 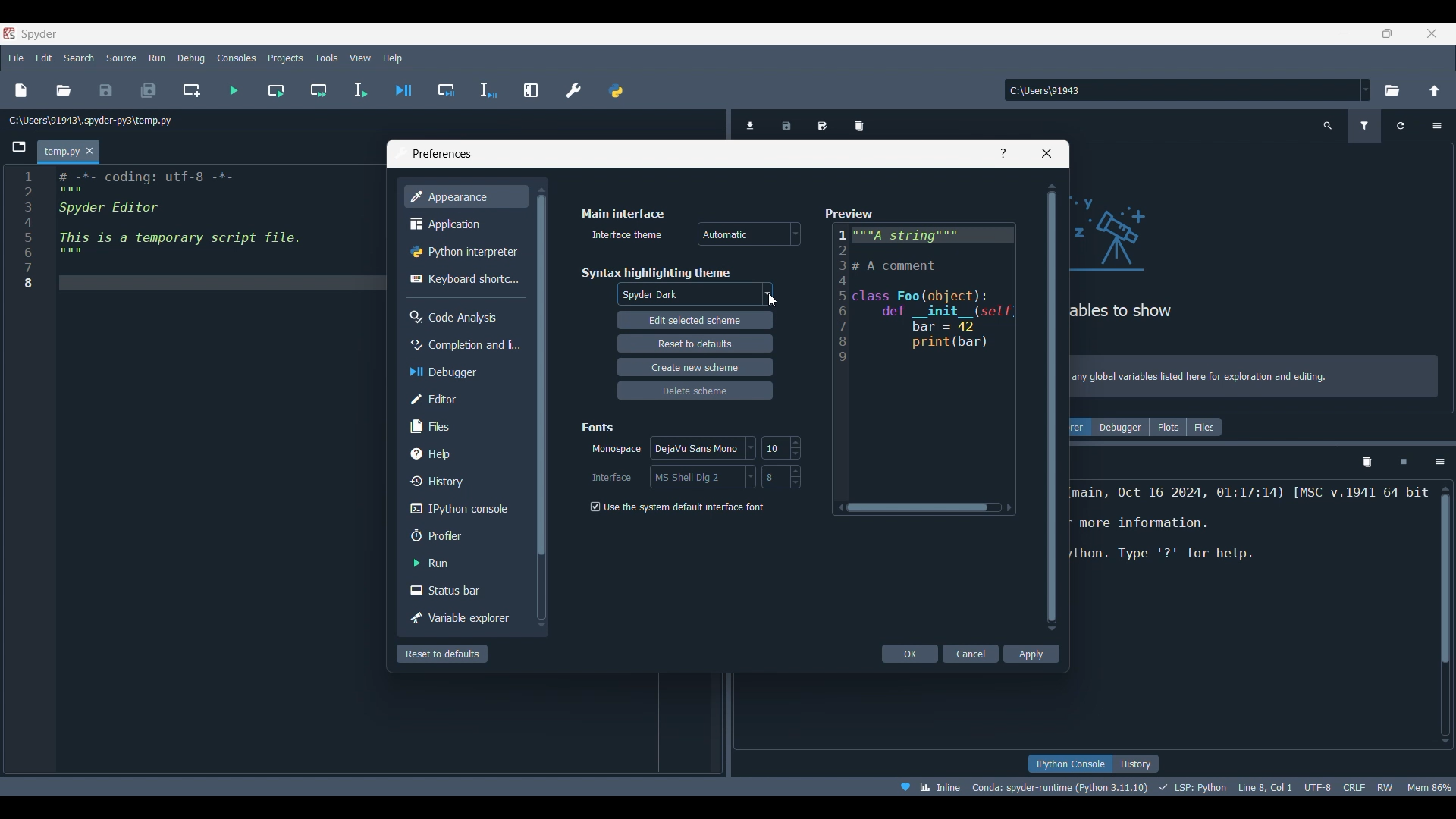 What do you see at coordinates (1429, 786) in the screenshot?
I see `memory usage` at bounding box center [1429, 786].